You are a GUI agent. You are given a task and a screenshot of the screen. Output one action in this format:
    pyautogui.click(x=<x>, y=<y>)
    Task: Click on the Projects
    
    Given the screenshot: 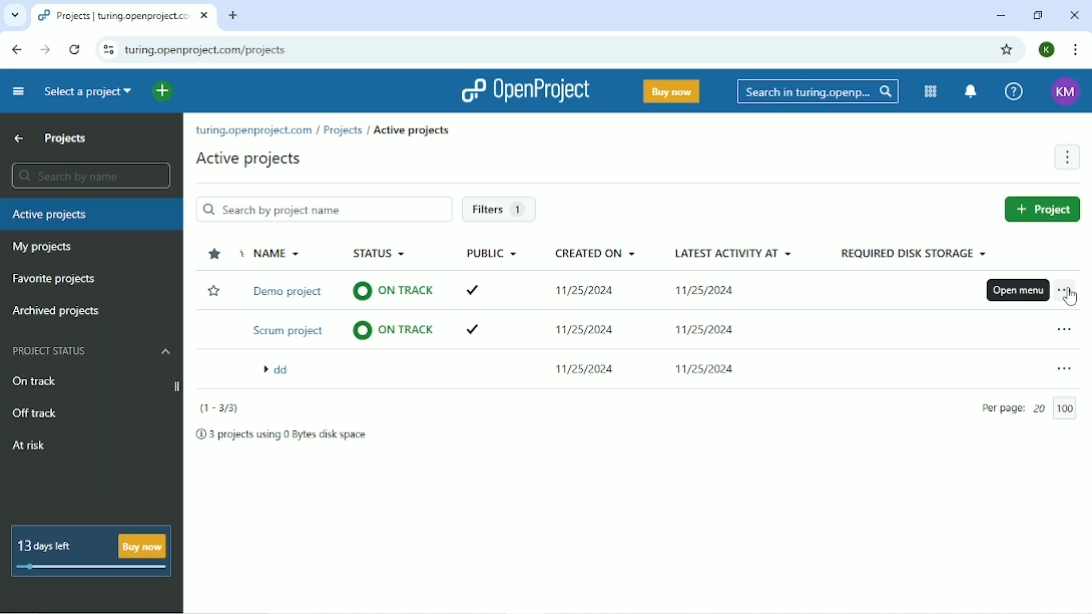 What is the action you would take?
    pyautogui.click(x=65, y=137)
    